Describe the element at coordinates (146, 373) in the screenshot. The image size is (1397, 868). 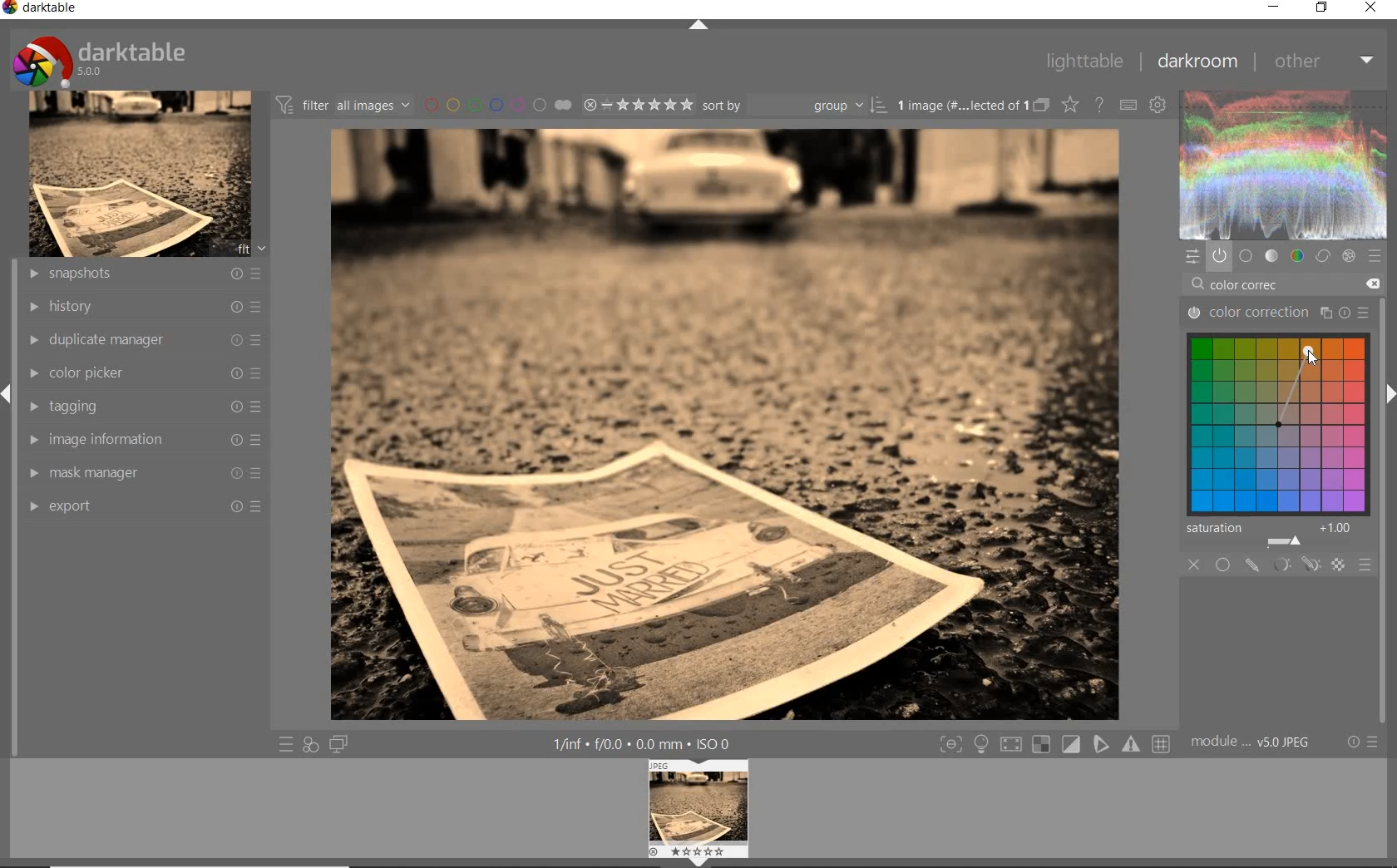
I see `color picker` at that location.